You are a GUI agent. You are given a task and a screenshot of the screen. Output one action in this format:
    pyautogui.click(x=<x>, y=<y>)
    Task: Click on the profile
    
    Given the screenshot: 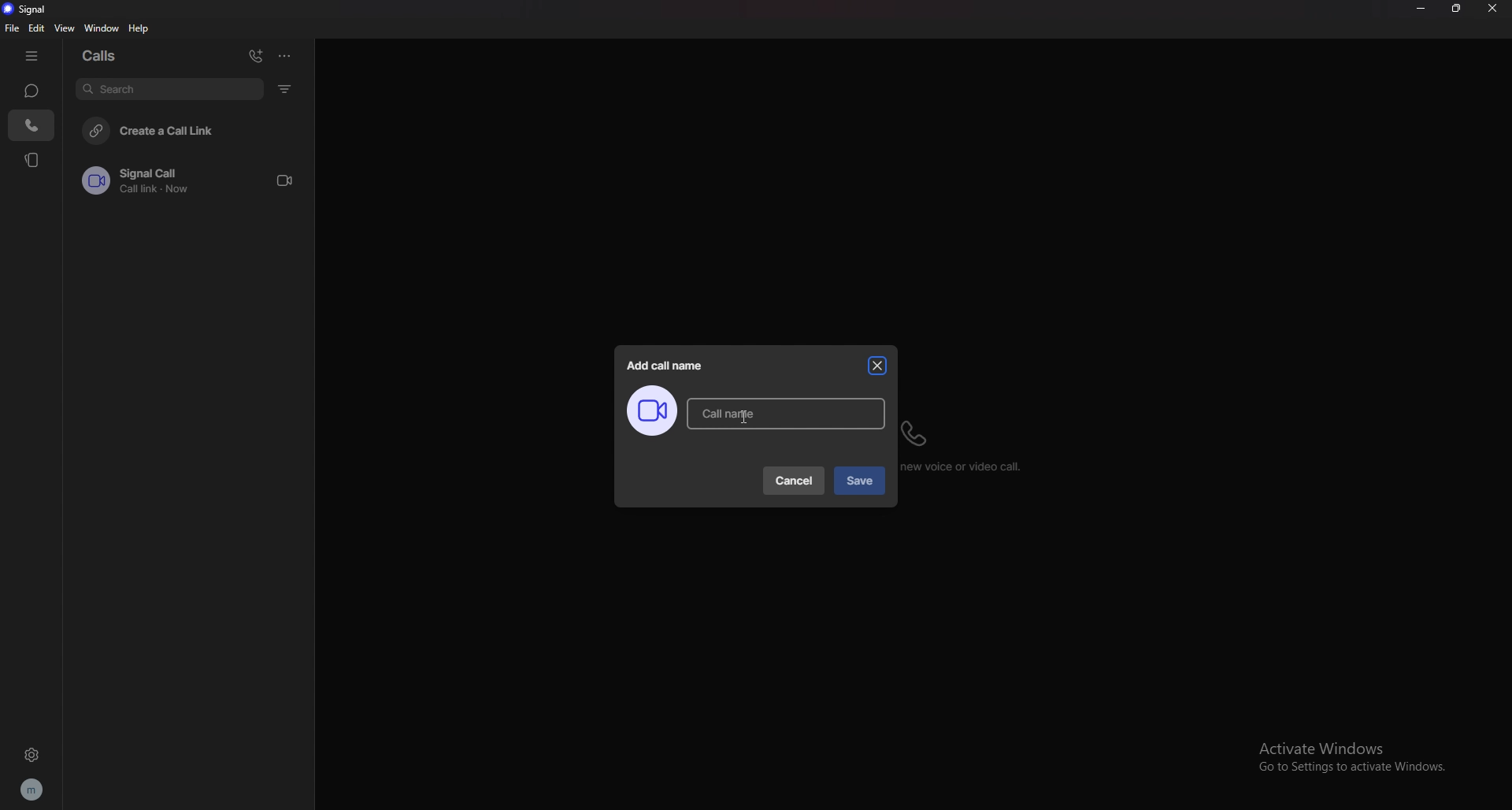 What is the action you would take?
    pyautogui.click(x=31, y=790)
    